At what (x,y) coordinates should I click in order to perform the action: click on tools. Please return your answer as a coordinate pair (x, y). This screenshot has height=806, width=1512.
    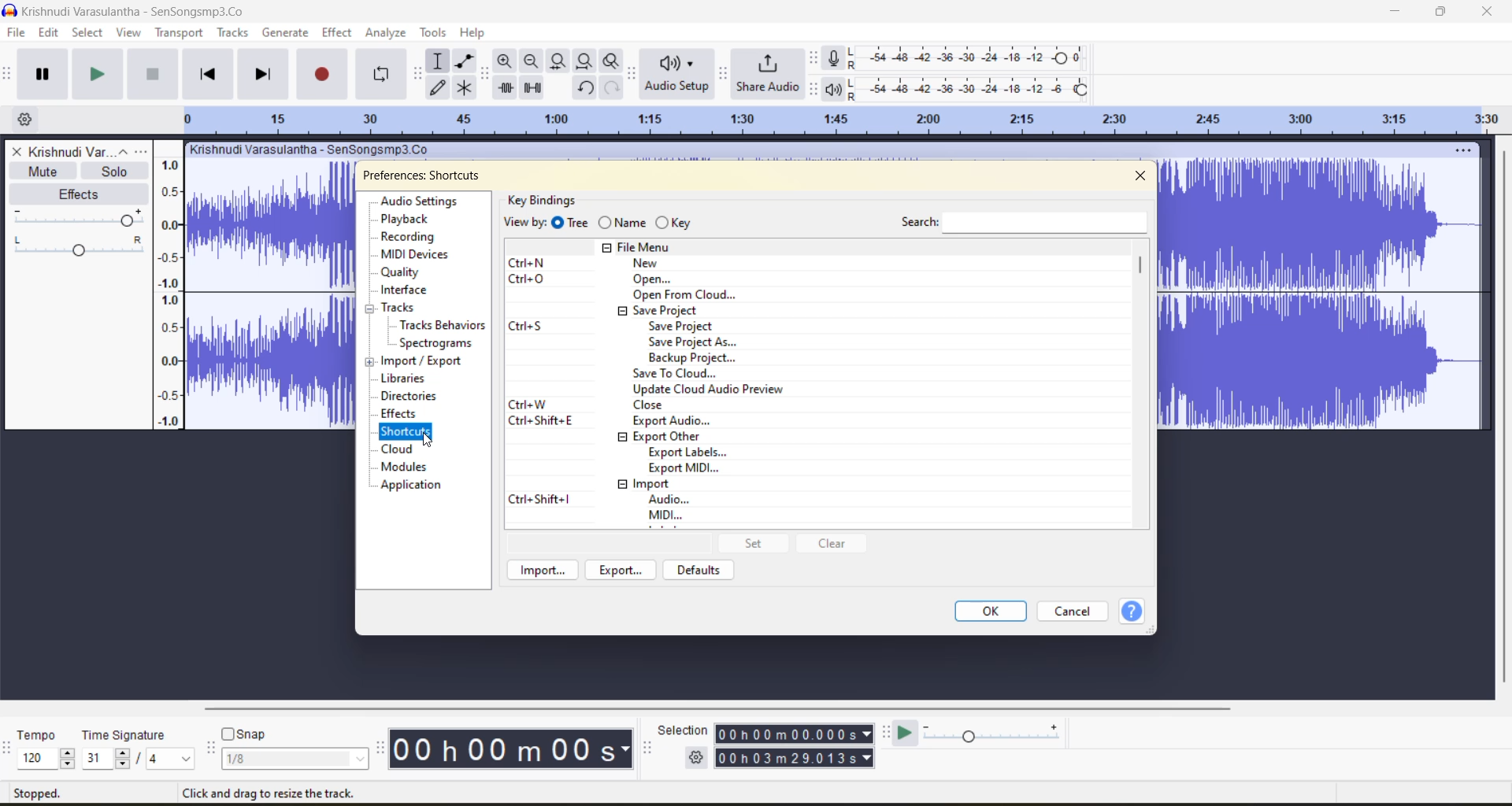
    Looking at the image, I should click on (434, 33).